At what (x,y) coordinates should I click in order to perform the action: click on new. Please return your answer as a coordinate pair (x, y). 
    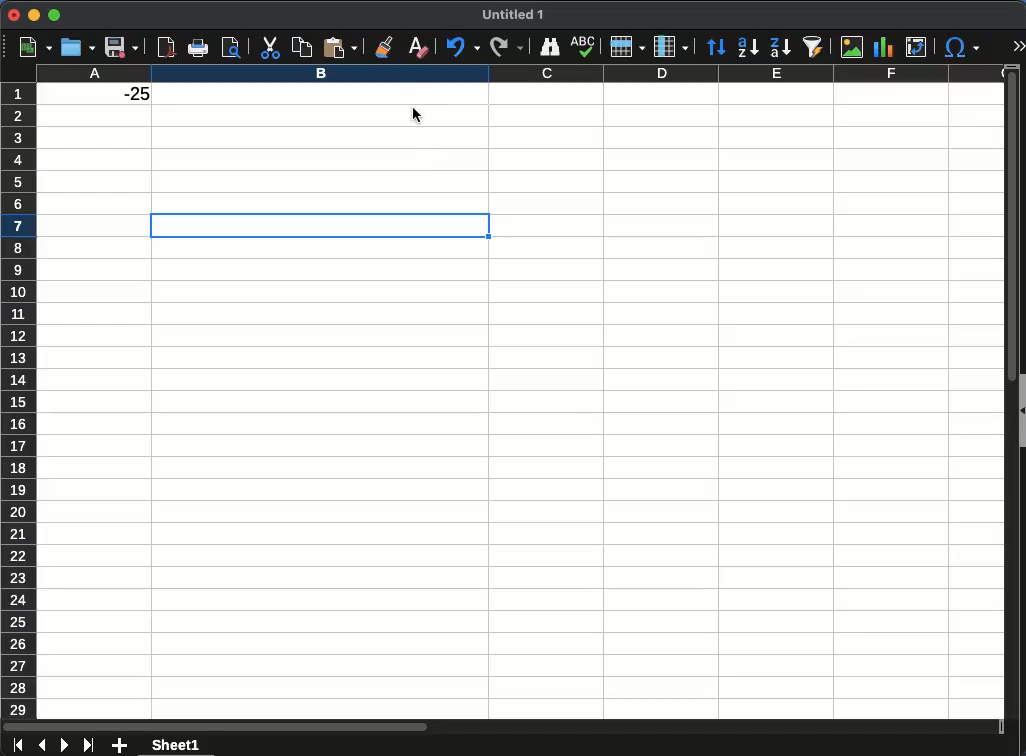
    Looking at the image, I should click on (31, 47).